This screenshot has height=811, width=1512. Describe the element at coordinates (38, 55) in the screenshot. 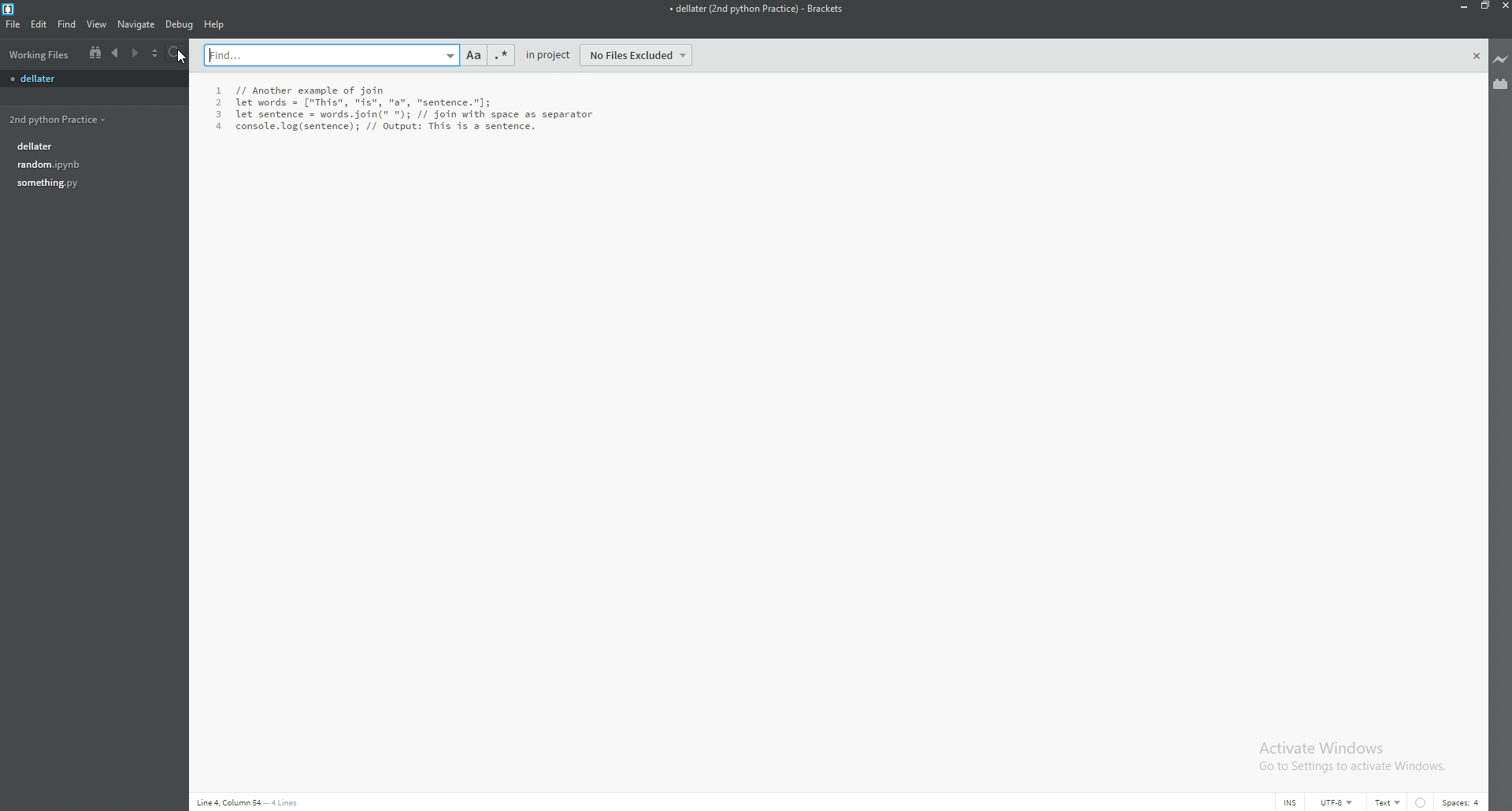

I see `working files` at that location.